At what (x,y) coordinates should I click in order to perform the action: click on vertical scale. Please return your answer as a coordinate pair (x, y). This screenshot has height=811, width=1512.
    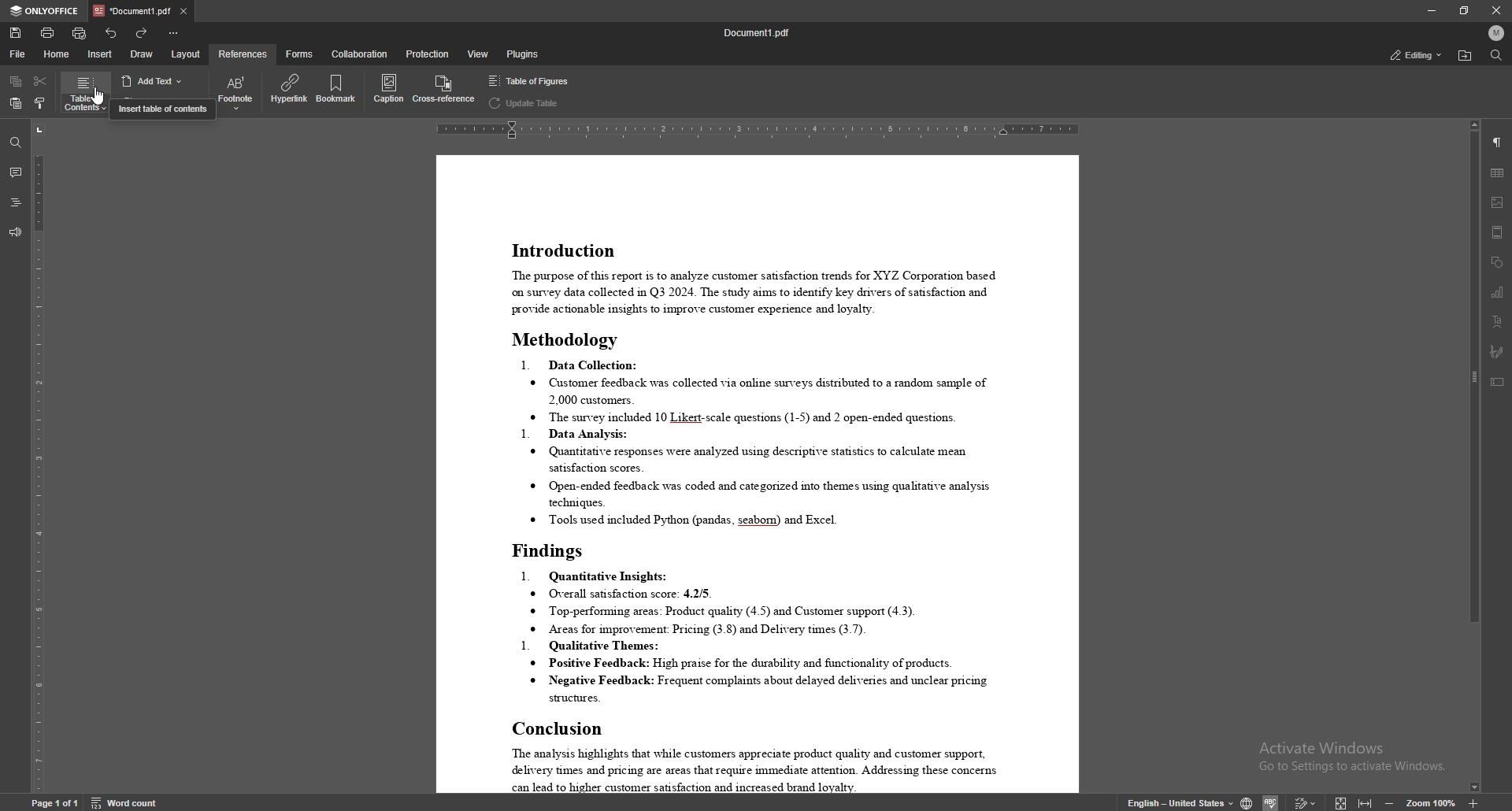
    Looking at the image, I should click on (35, 457).